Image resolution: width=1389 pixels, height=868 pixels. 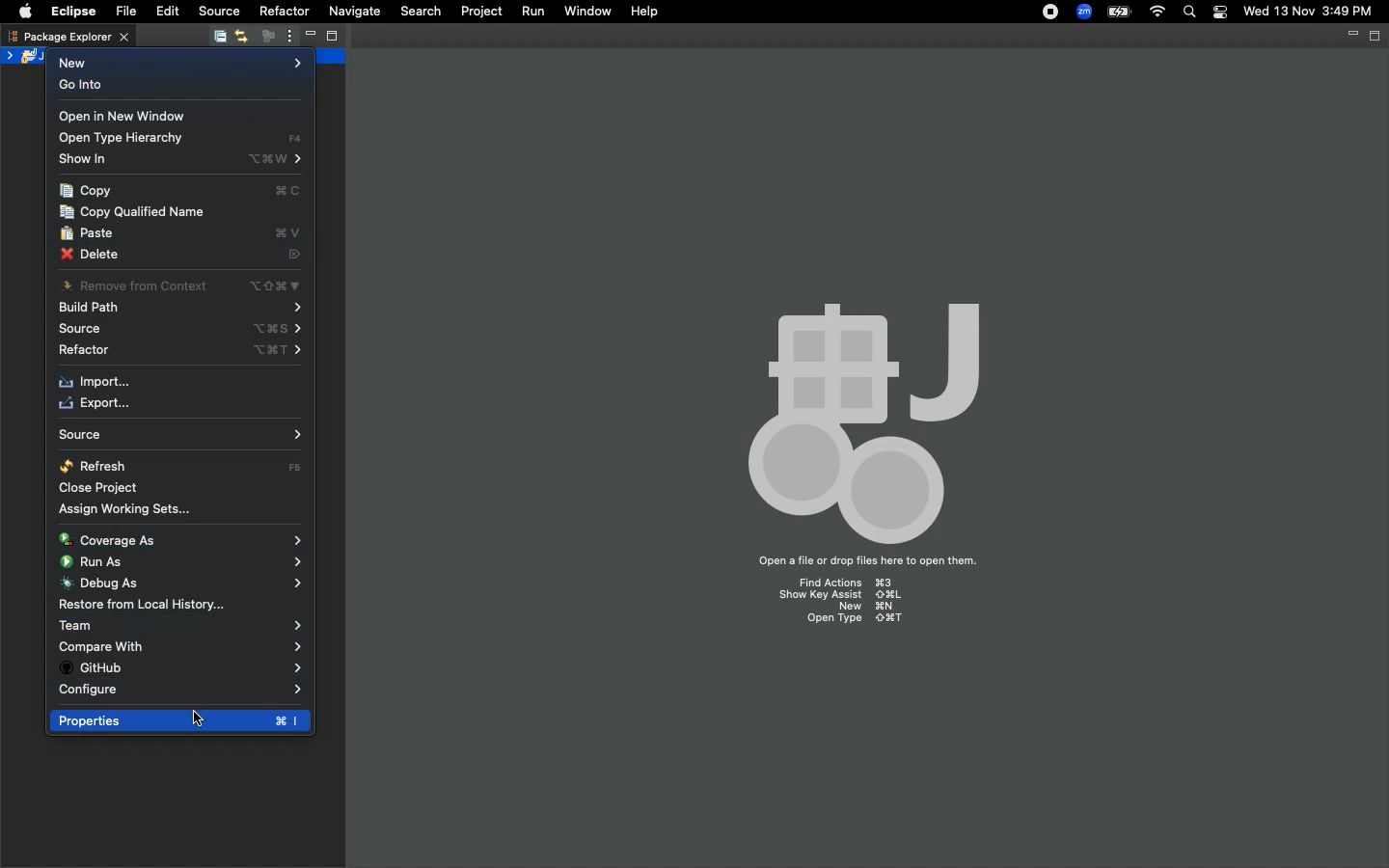 What do you see at coordinates (180, 285) in the screenshot?
I see `Remove from context` at bounding box center [180, 285].